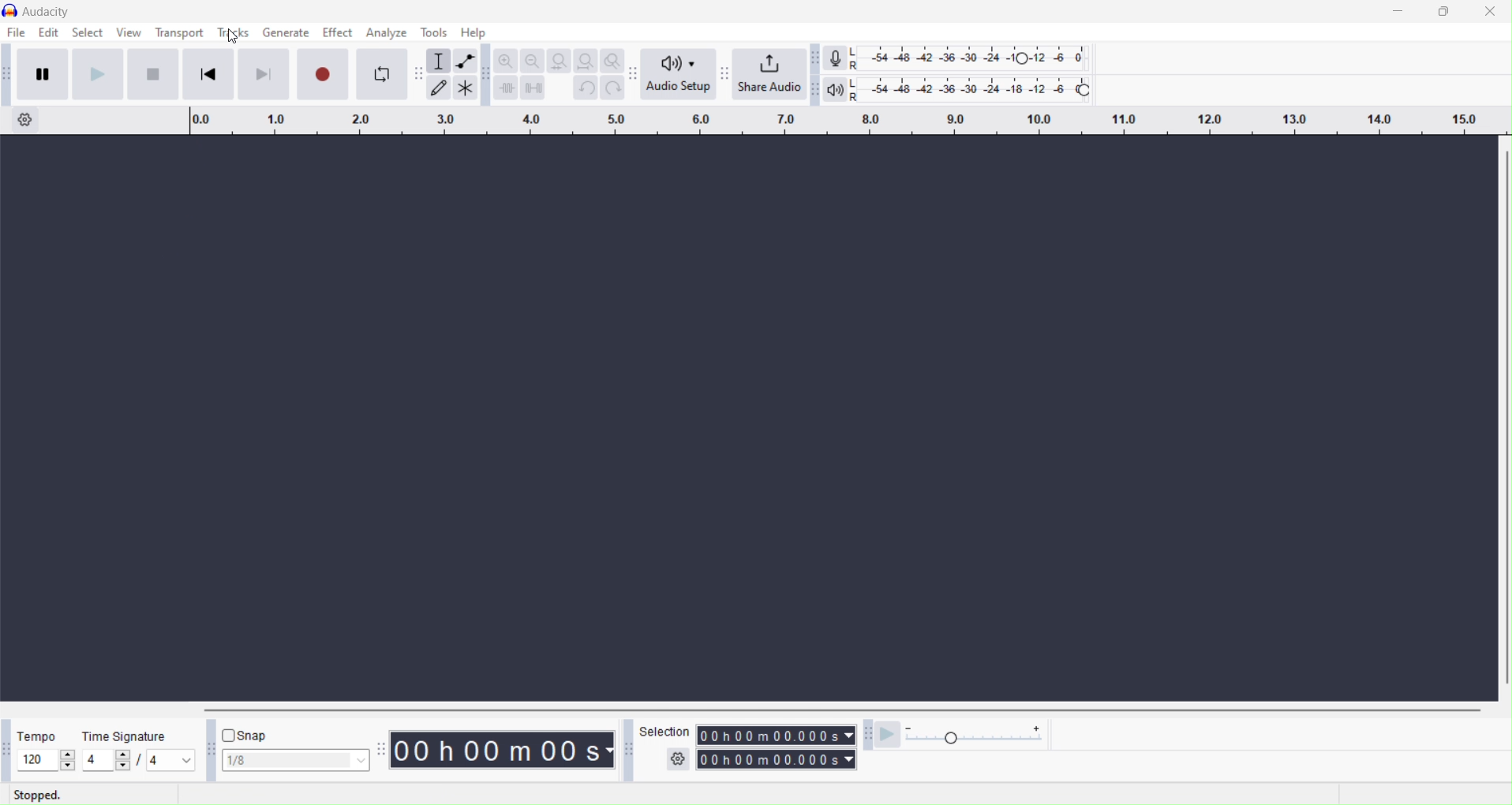 This screenshot has width=1512, height=805. I want to click on Generate, so click(283, 32).